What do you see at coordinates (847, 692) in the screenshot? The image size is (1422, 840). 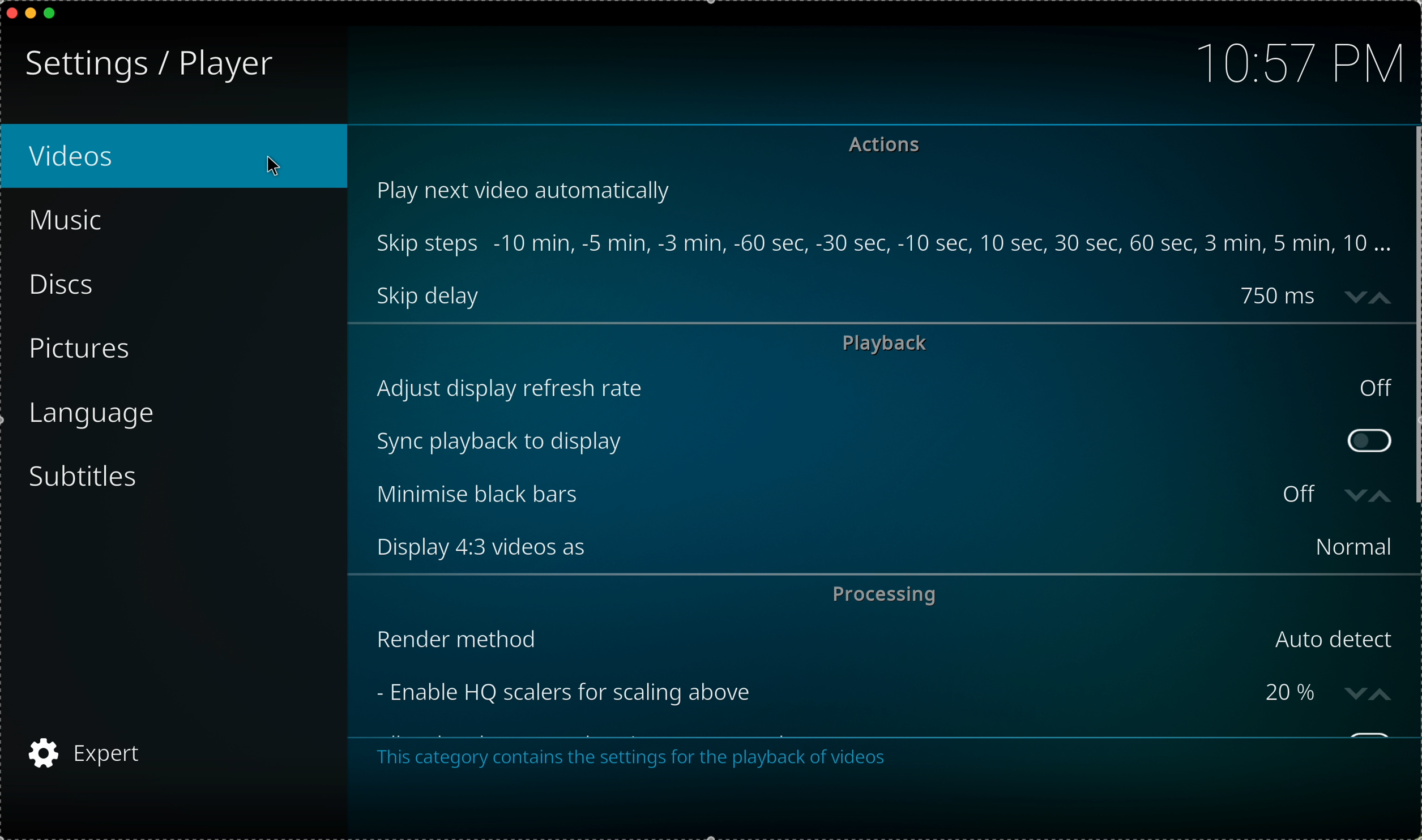 I see `enable HQ scalers for scalling above  20%` at bounding box center [847, 692].